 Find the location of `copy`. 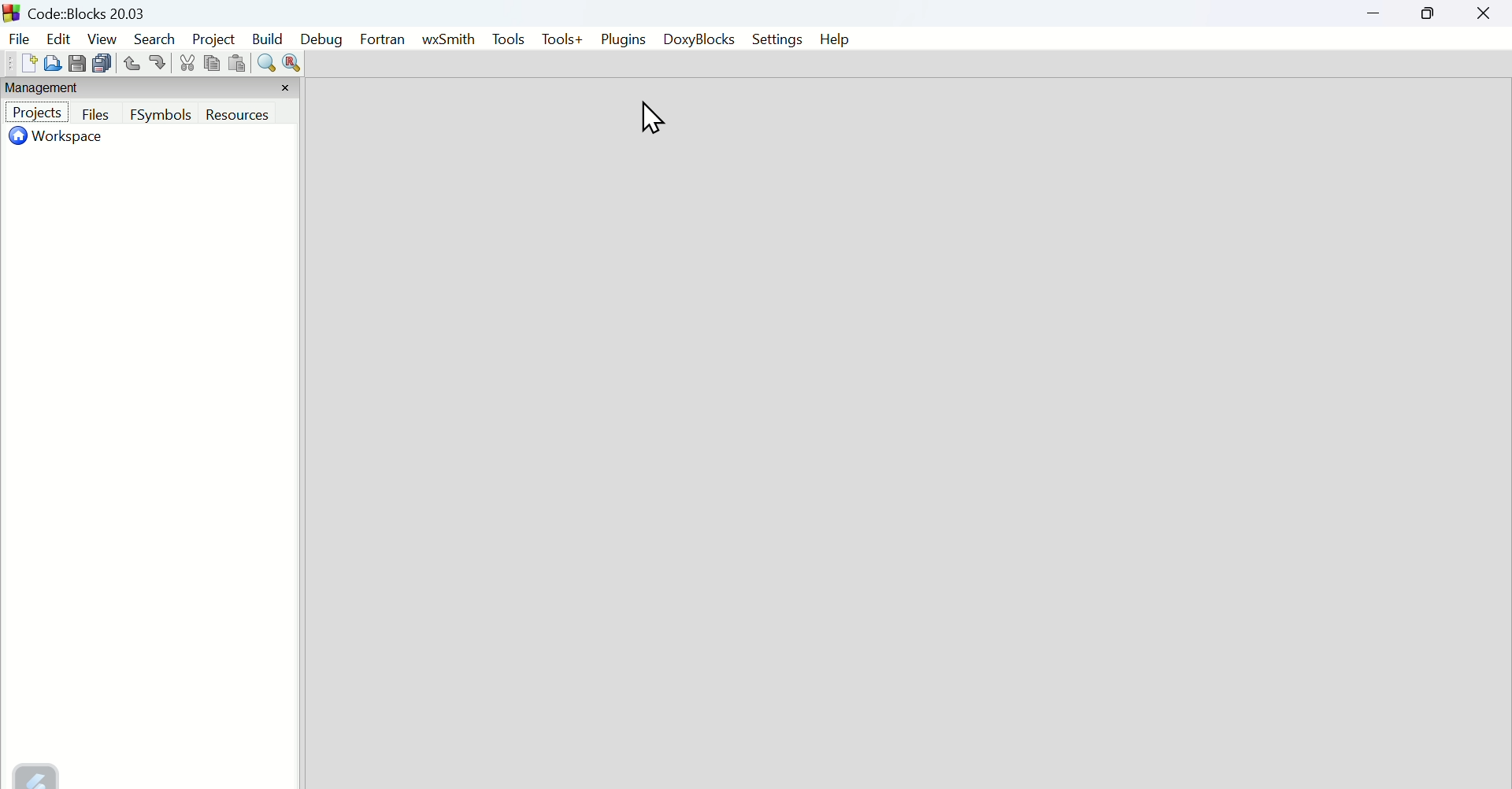

copy is located at coordinates (212, 63).